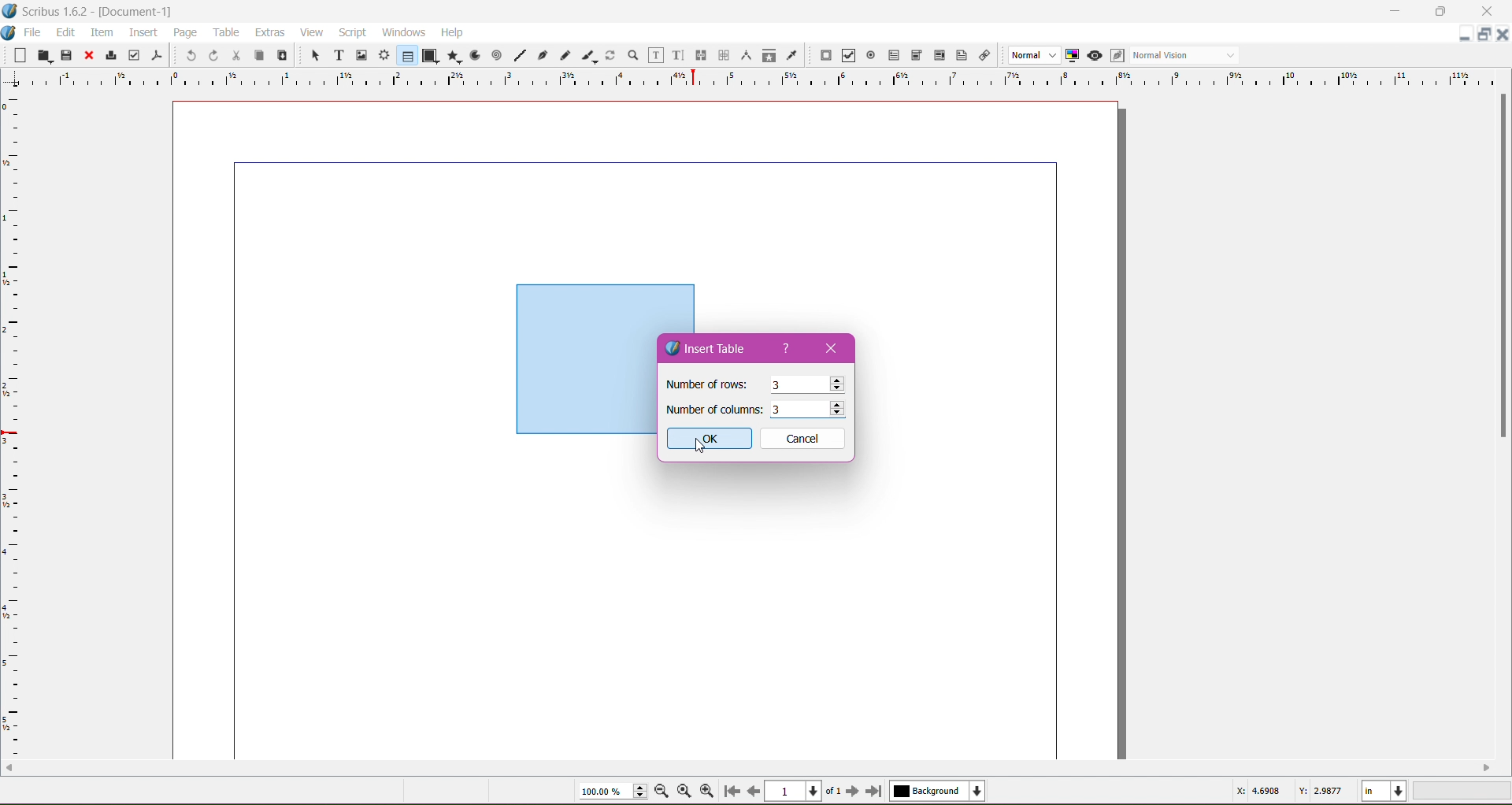 The width and height of the screenshot is (1512, 805). What do you see at coordinates (753, 790) in the screenshot?
I see `Previous page` at bounding box center [753, 790].